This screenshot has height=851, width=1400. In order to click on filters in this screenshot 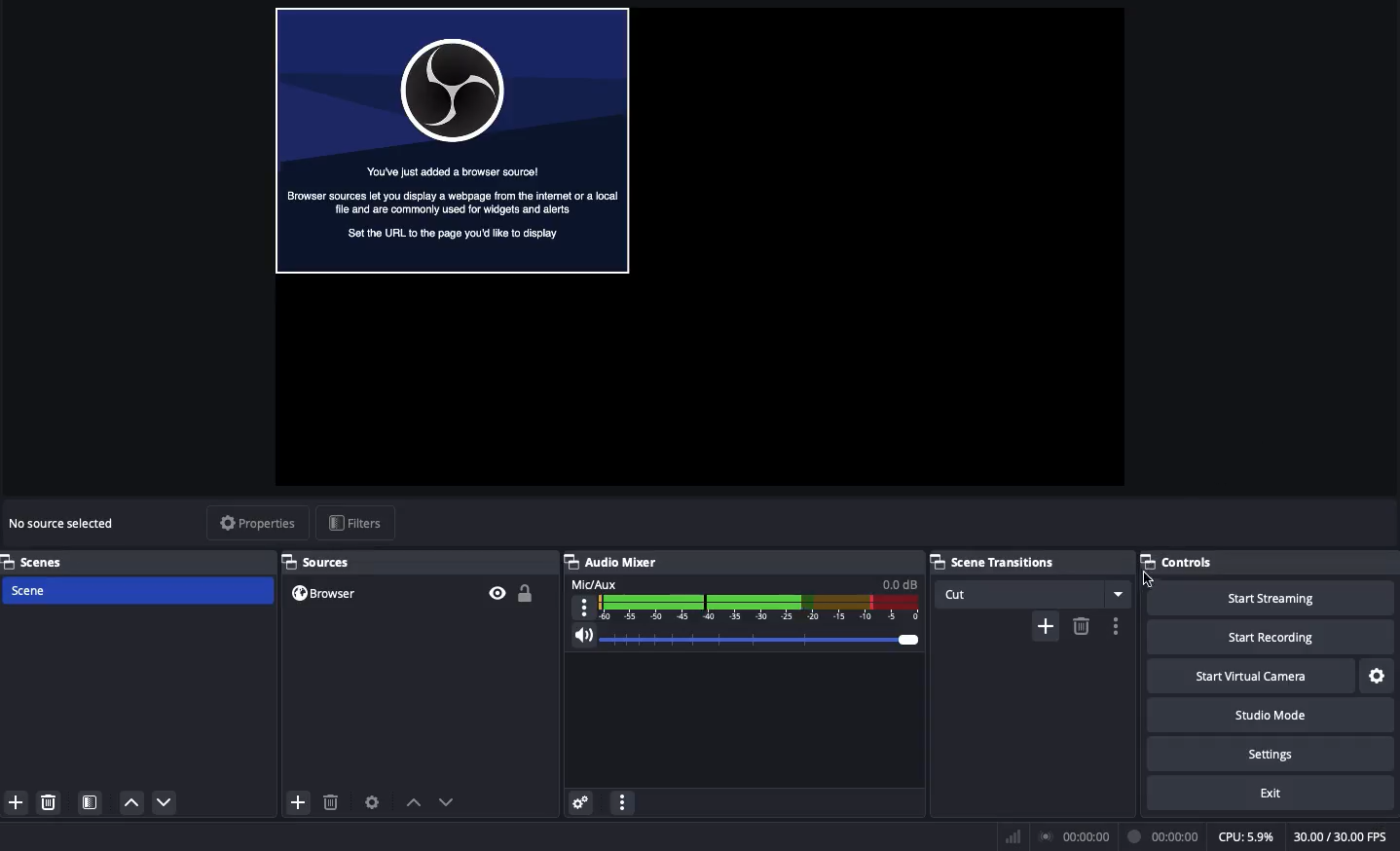, I will do `click(360, 524)`.